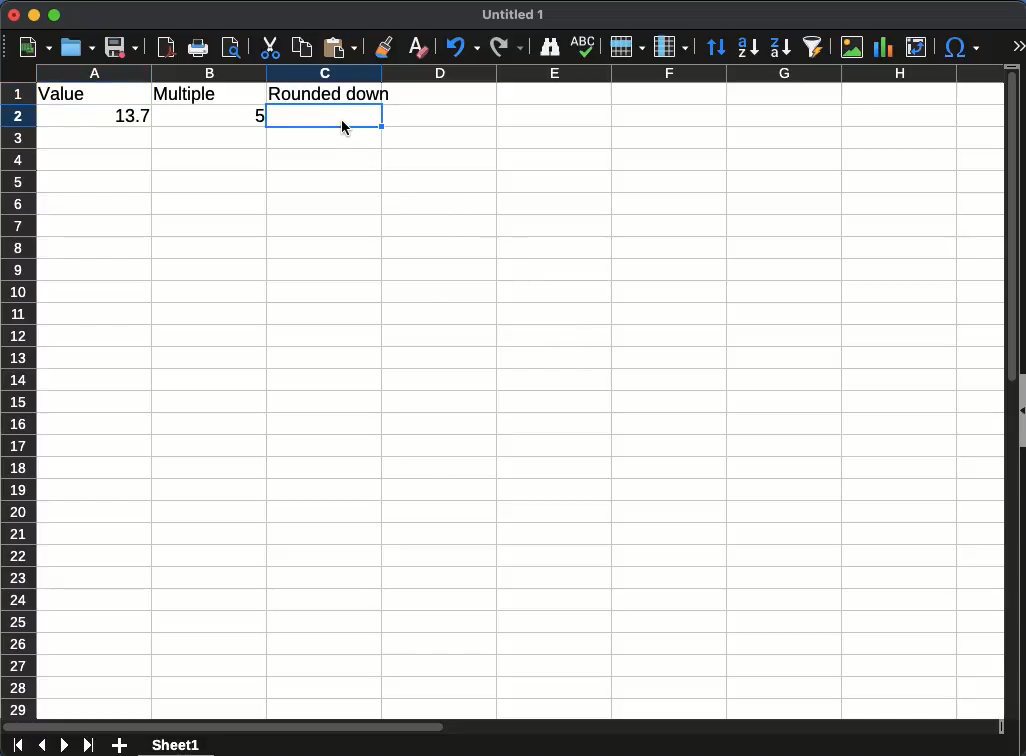 This screenshot has height=756, width=1026. What do you see at coordinates (302, 48) in the screenshot?
I see `copy` at bounding box center [302, 48].